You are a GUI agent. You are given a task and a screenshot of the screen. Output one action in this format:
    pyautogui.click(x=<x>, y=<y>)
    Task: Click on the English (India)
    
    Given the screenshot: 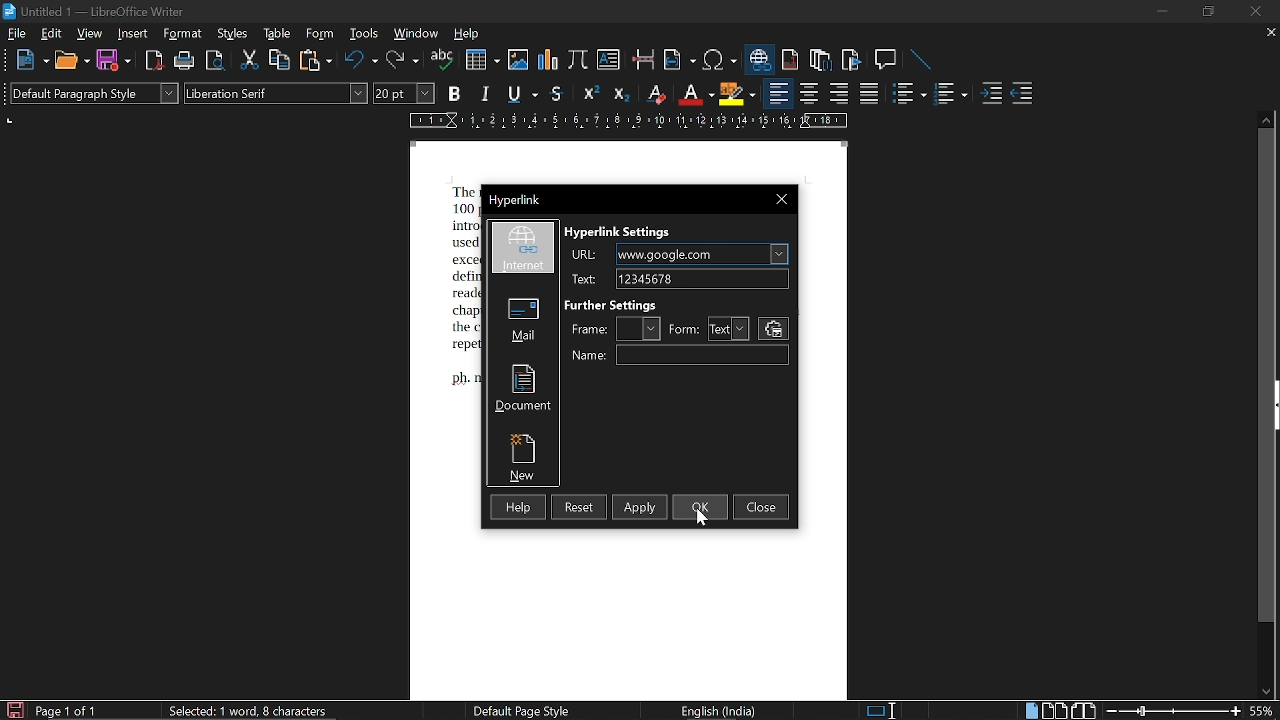 What is the action you would take?
    pyautogui.click(x=721, y=712)
    